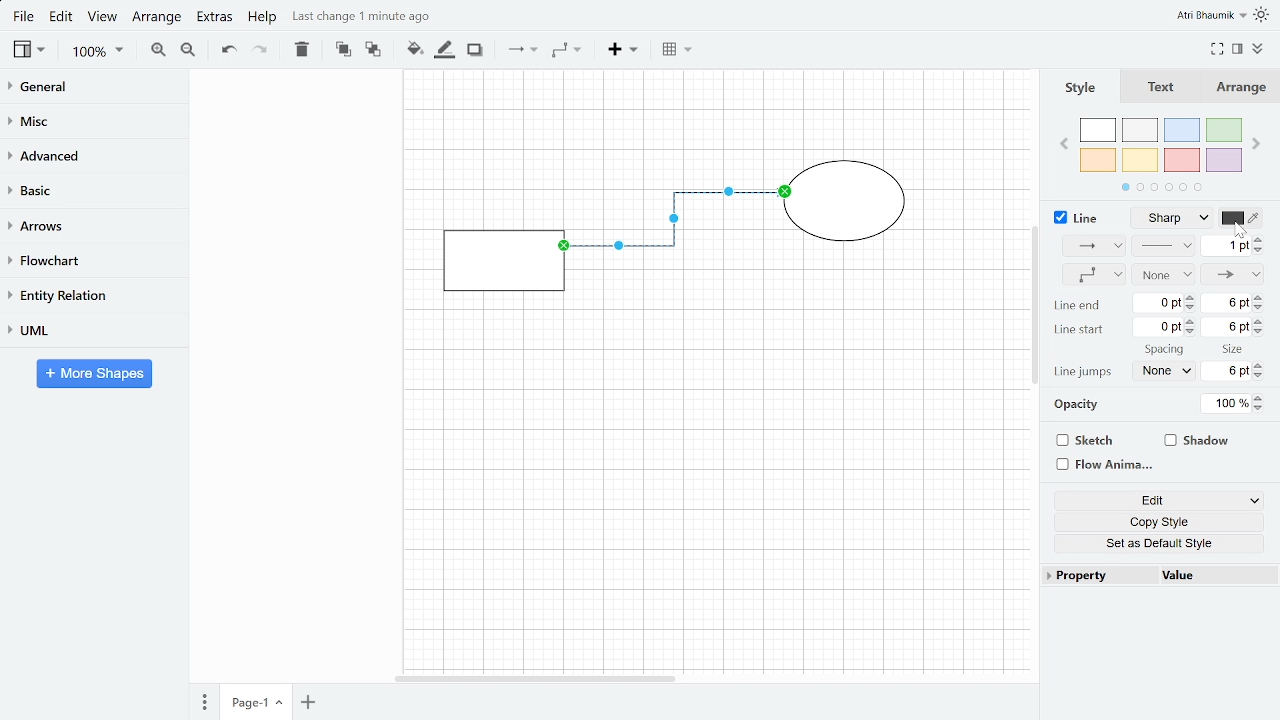 This screenshot has width=1280, height=720. I want to click on blue, so click(1182, 131).